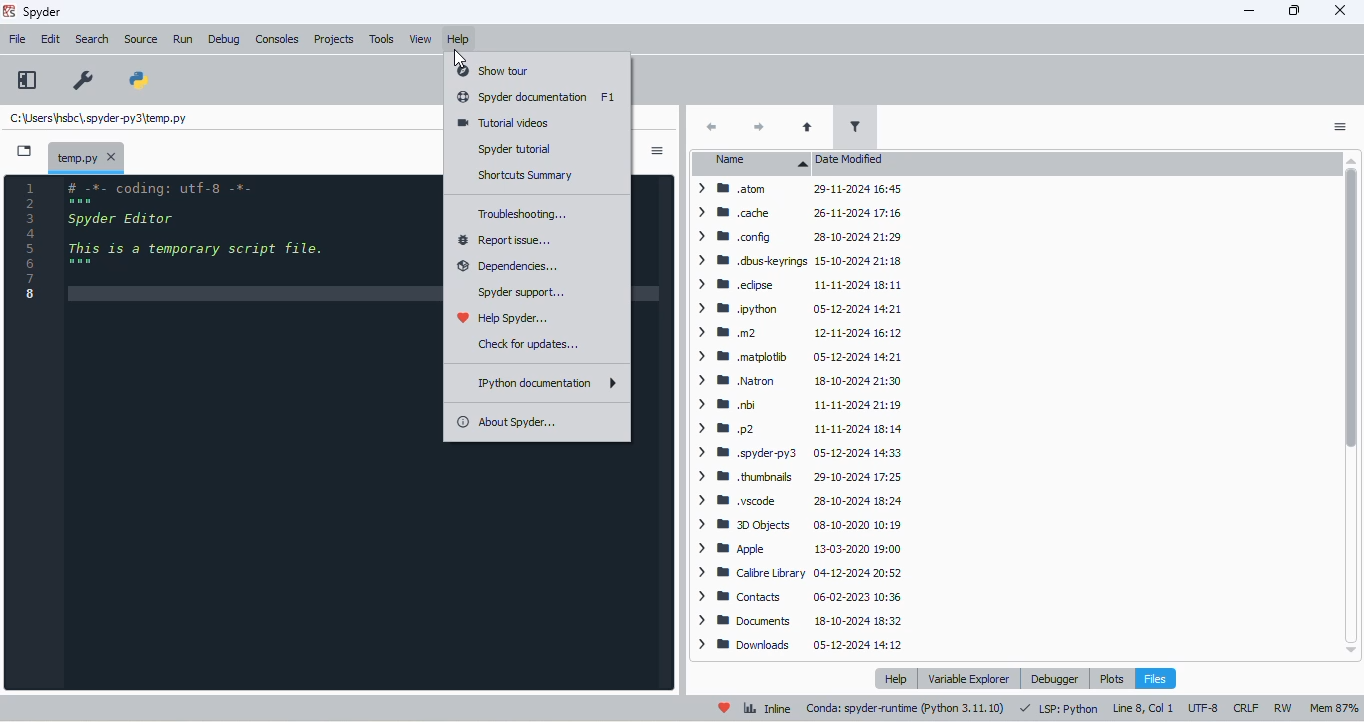 This screenshot has height=722, width=1364. What do you see at coordinates (905, 708) in the screenshot?
I see `conda: spyder-runtime (Python 3. 11. 10)` at bounding box center [905, 708].